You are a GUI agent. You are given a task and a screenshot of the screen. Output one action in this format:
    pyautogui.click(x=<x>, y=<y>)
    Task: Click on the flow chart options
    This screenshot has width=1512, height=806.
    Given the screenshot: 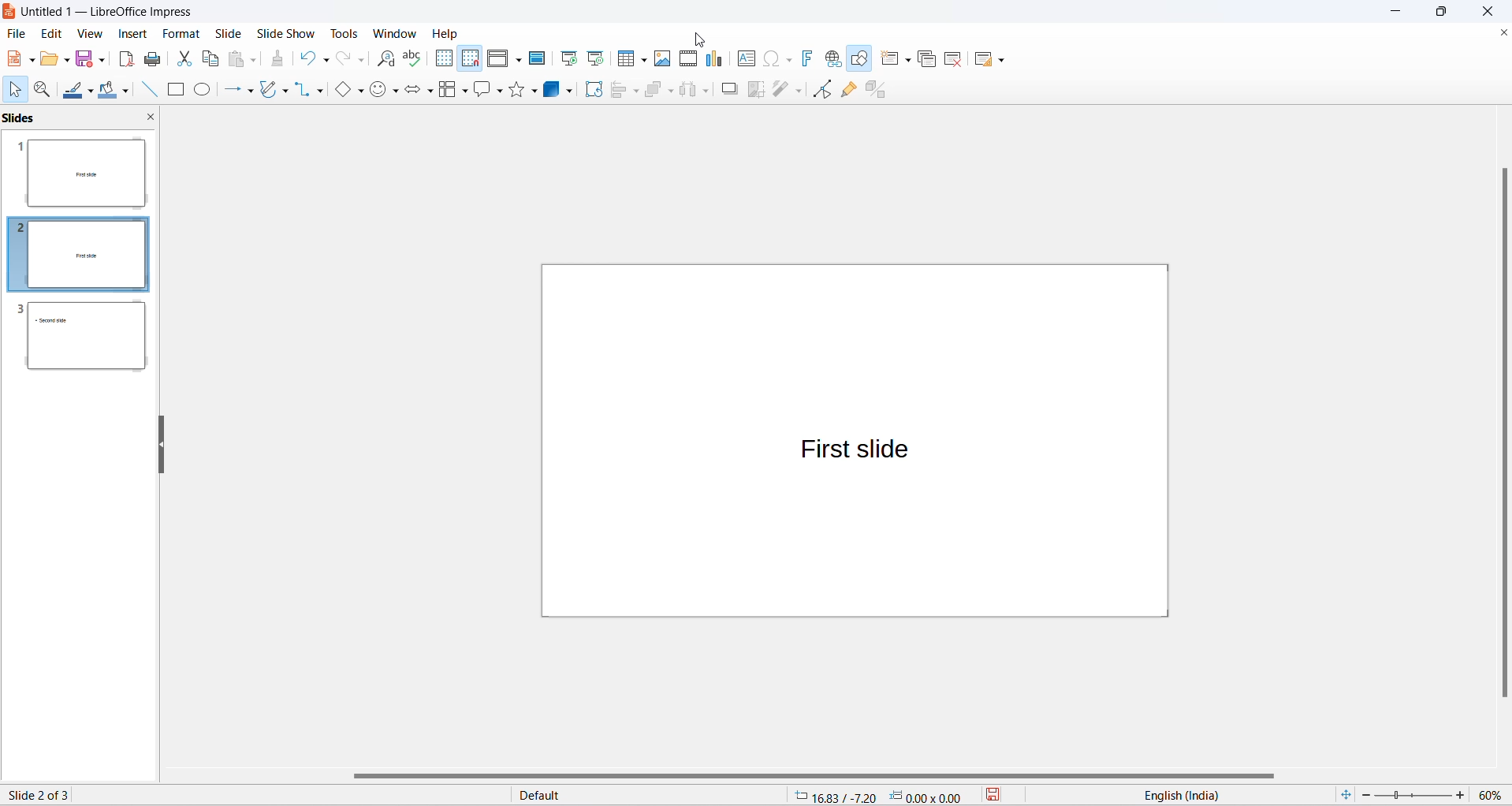 What is the action you would take?
    pyautogui.click(x=462, y=91)
    